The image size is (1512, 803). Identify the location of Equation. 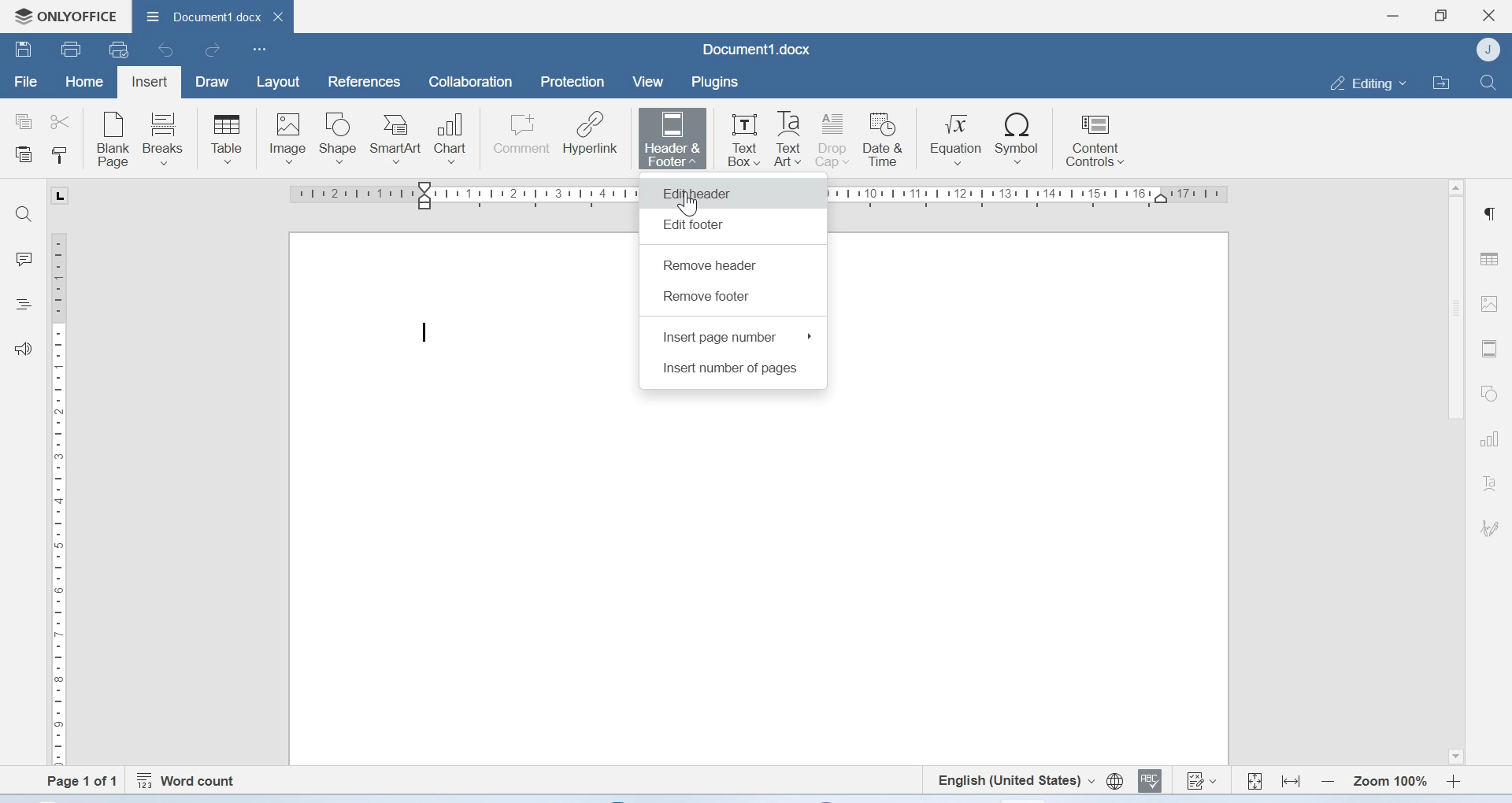
(957, 139).